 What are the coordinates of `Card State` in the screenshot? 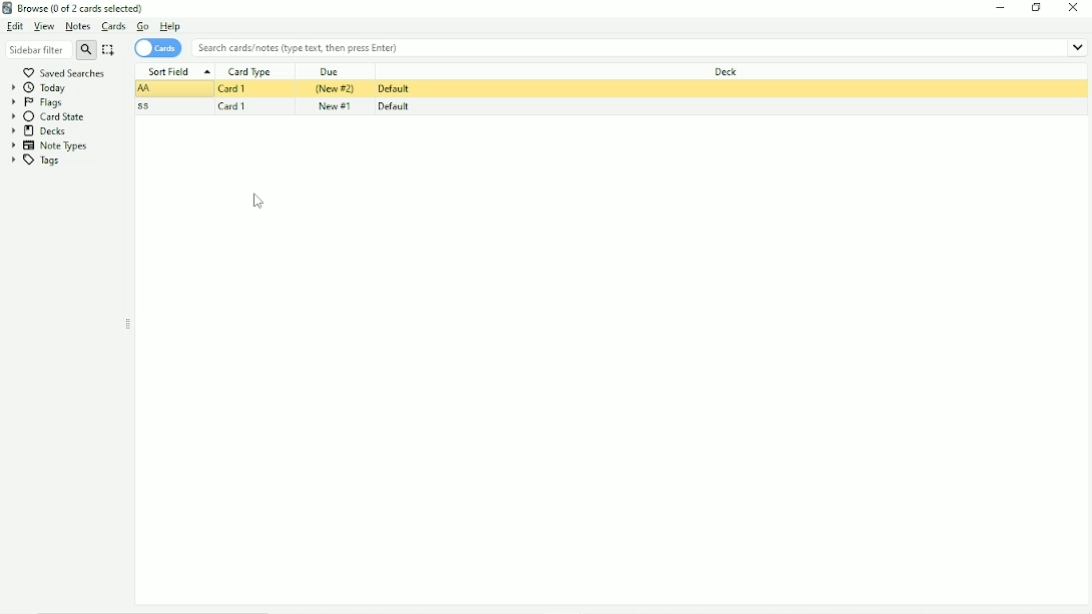 It's located at (49, 117).